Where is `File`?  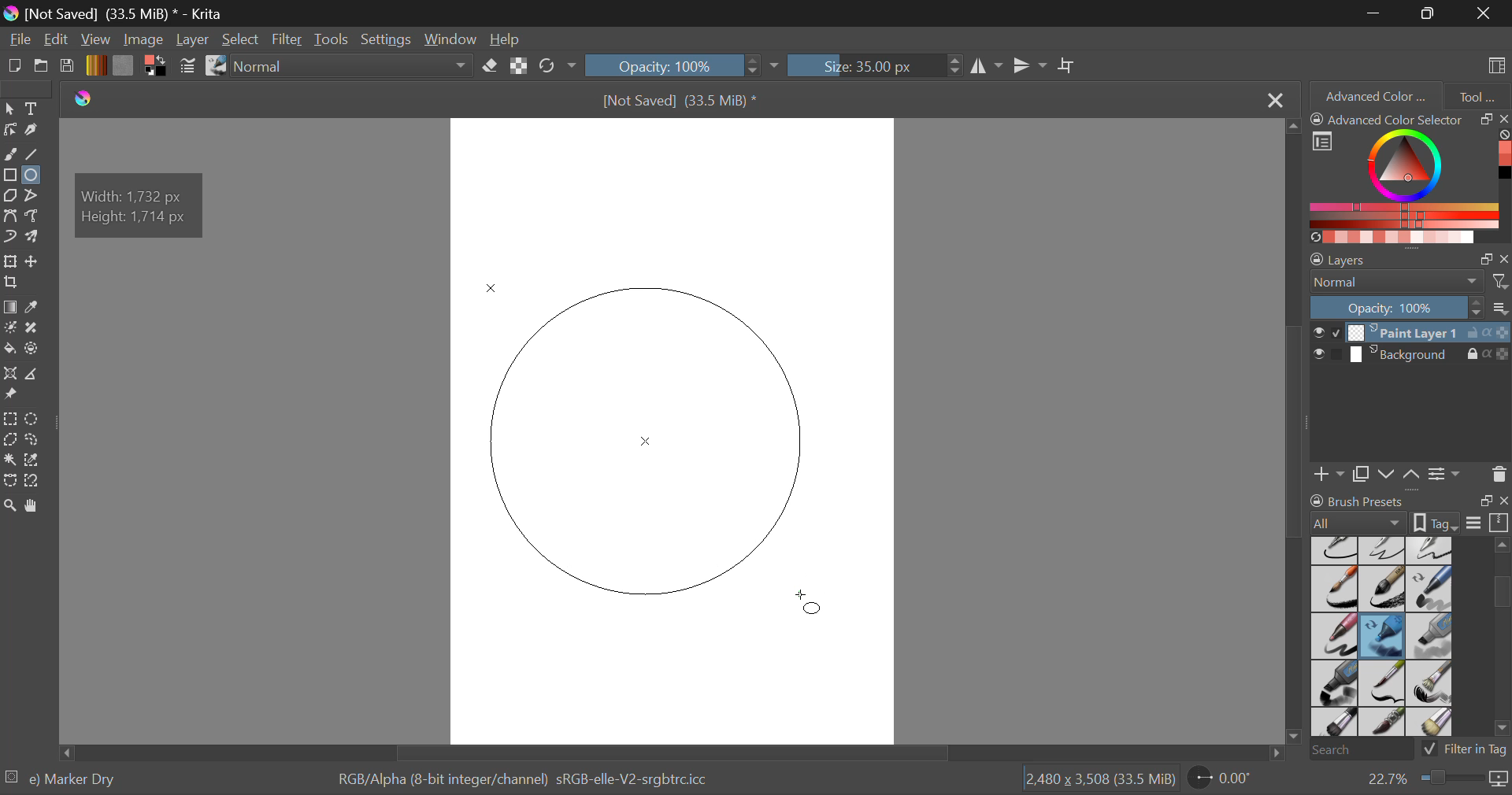 File is located at coordinates (20, 41).